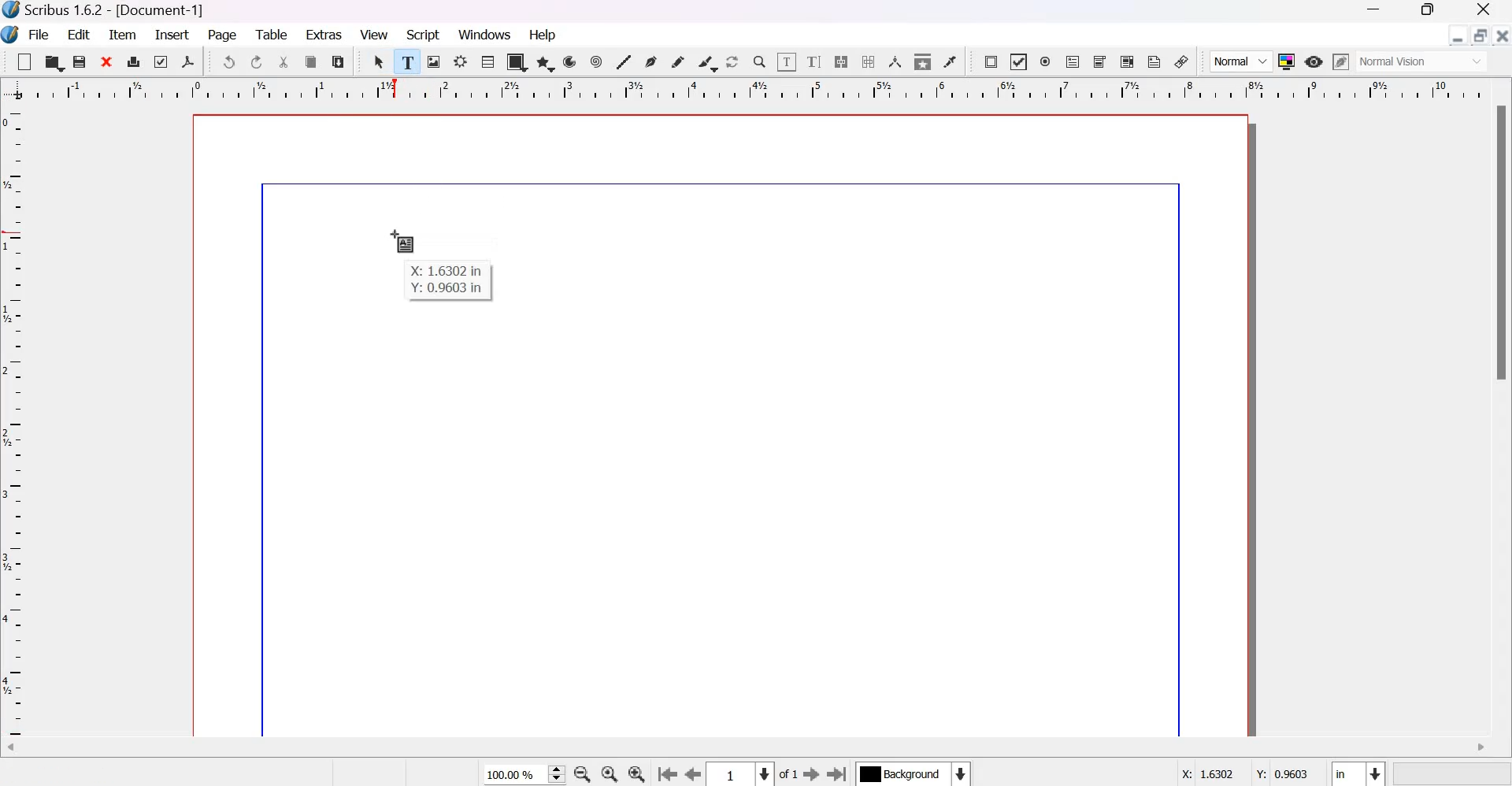 The width and height of the screenshot is (1512, 786). What do you see at coordinates (435, 61) in the screenshot?
I see `image render` at bounding box center [435, 61].